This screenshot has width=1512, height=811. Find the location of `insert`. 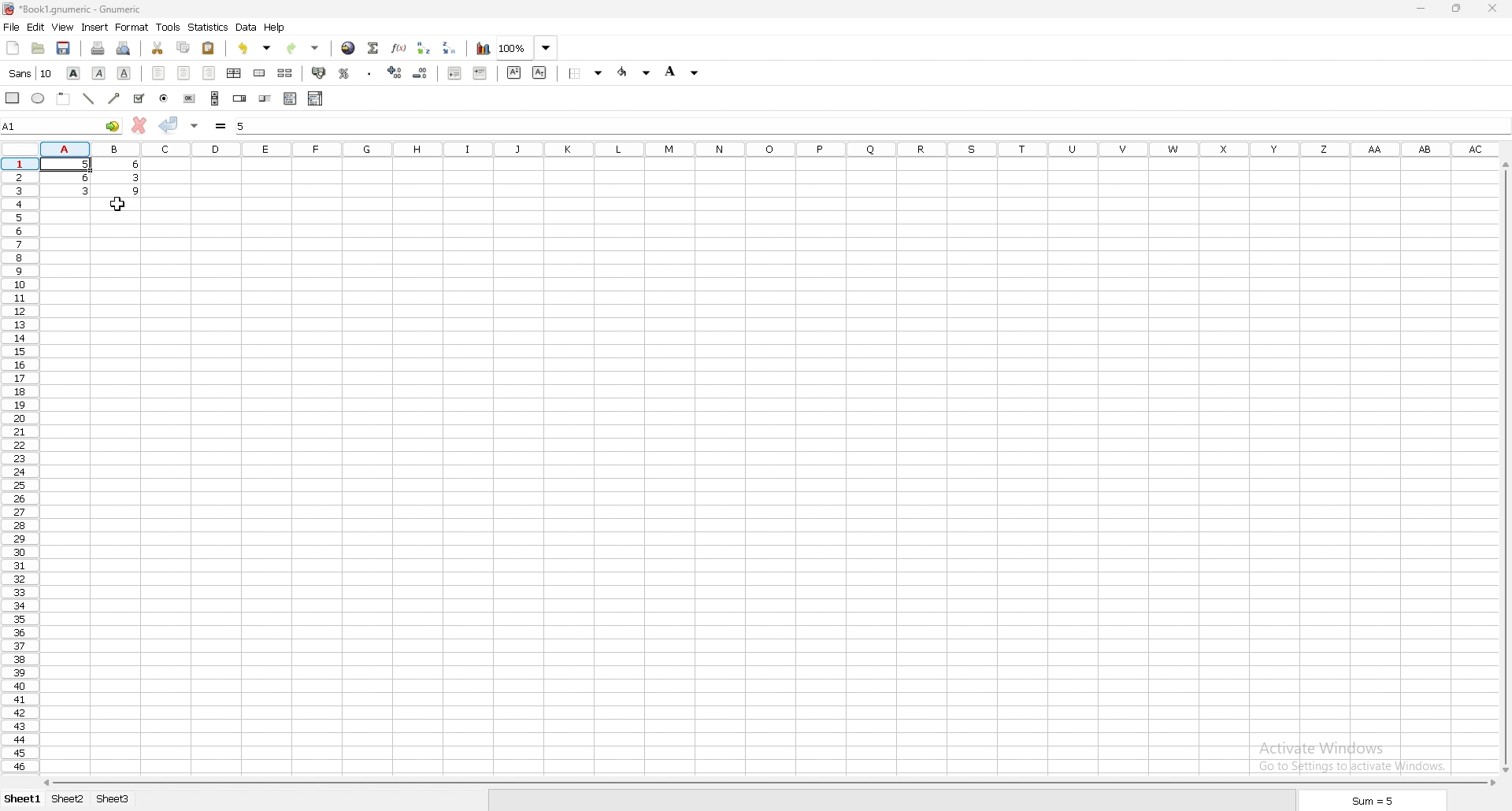

insert is located at coordinates (94, 28).